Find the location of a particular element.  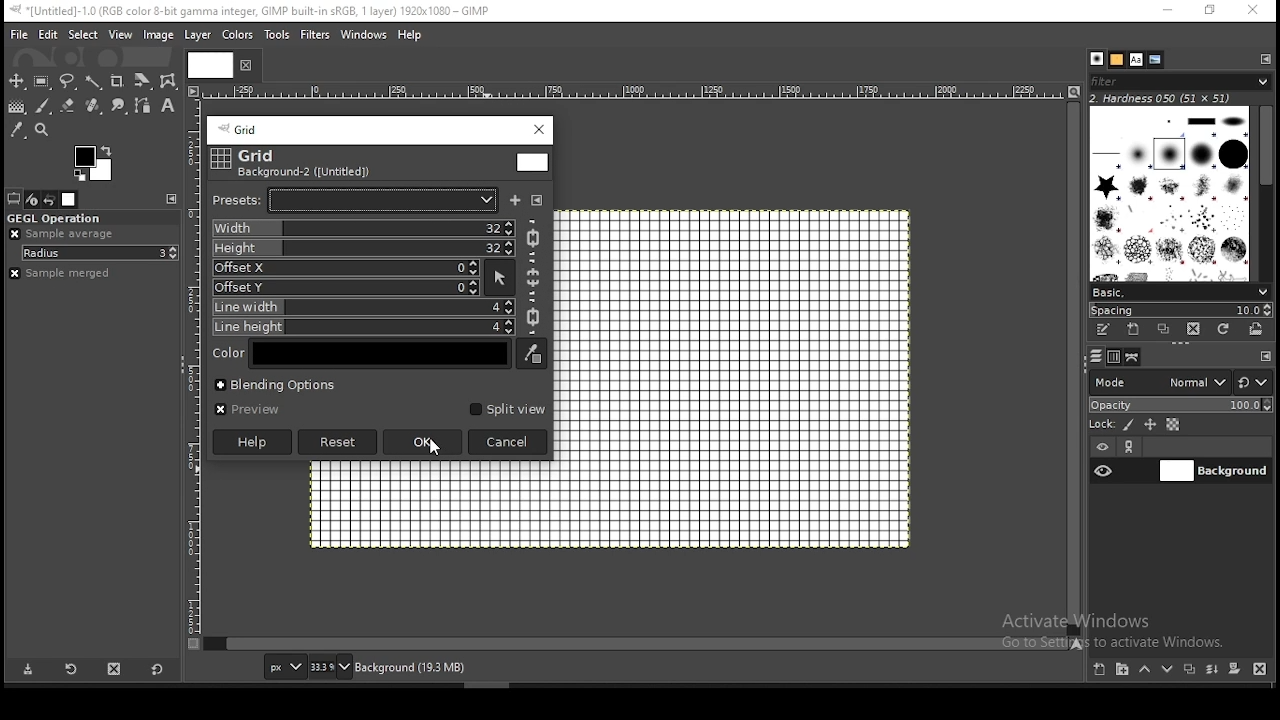

minimize is located at coordinates (1170, 12).